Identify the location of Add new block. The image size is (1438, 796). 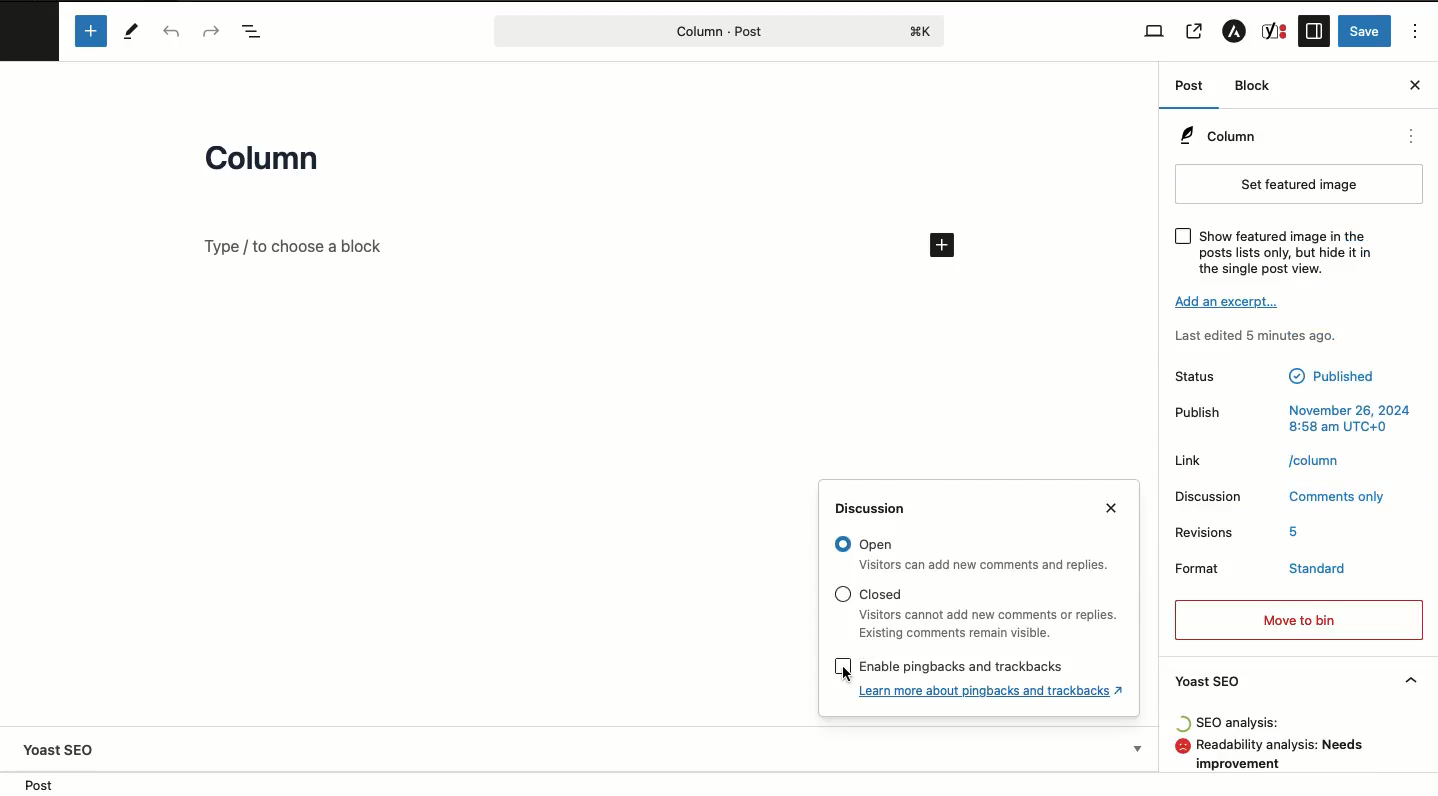
(93, 32).